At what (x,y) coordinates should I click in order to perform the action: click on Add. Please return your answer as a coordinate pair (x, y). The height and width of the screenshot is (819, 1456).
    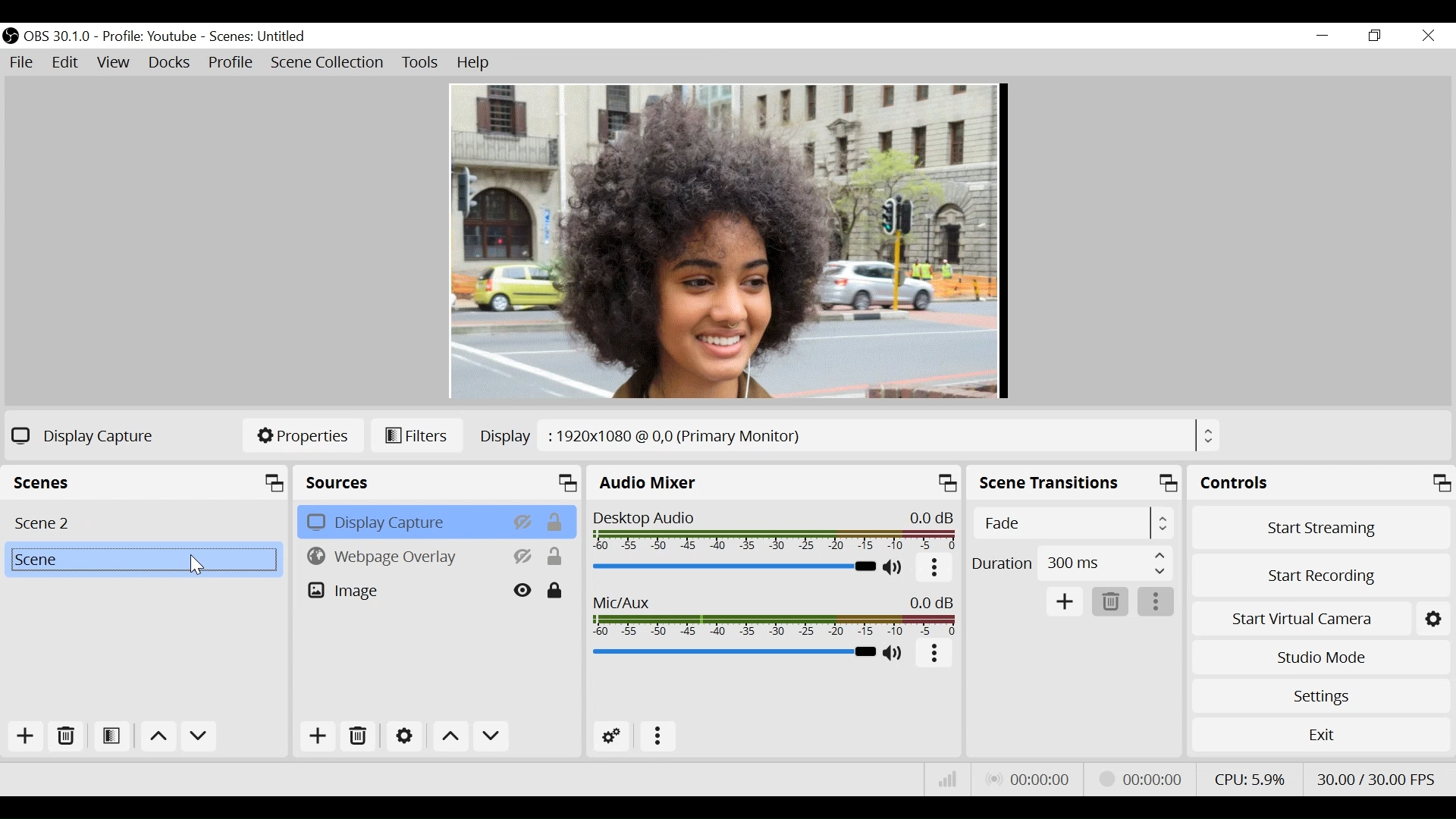
    Looking at the image, I should click on (319, 735).